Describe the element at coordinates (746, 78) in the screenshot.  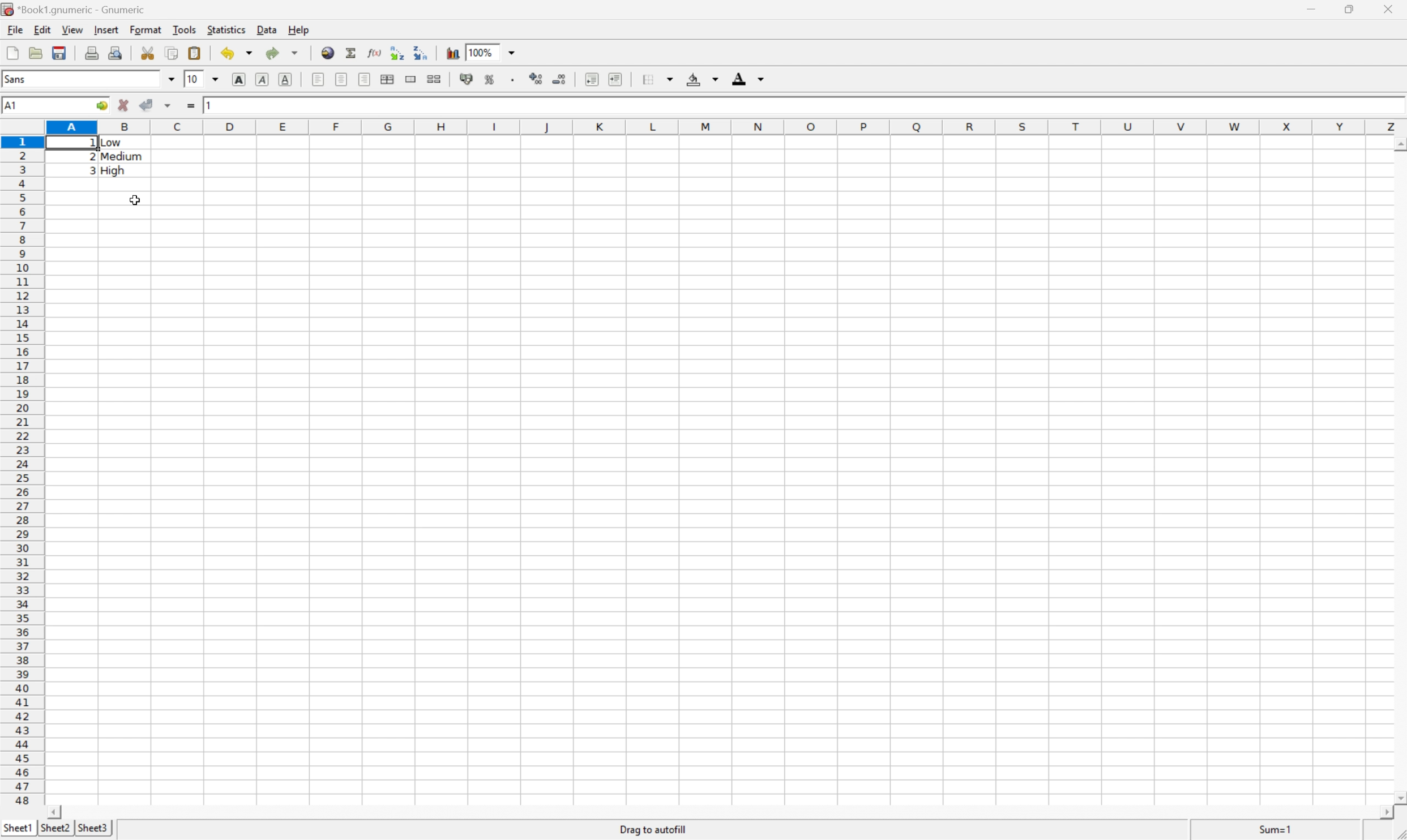
I see `Foreground` at that location.